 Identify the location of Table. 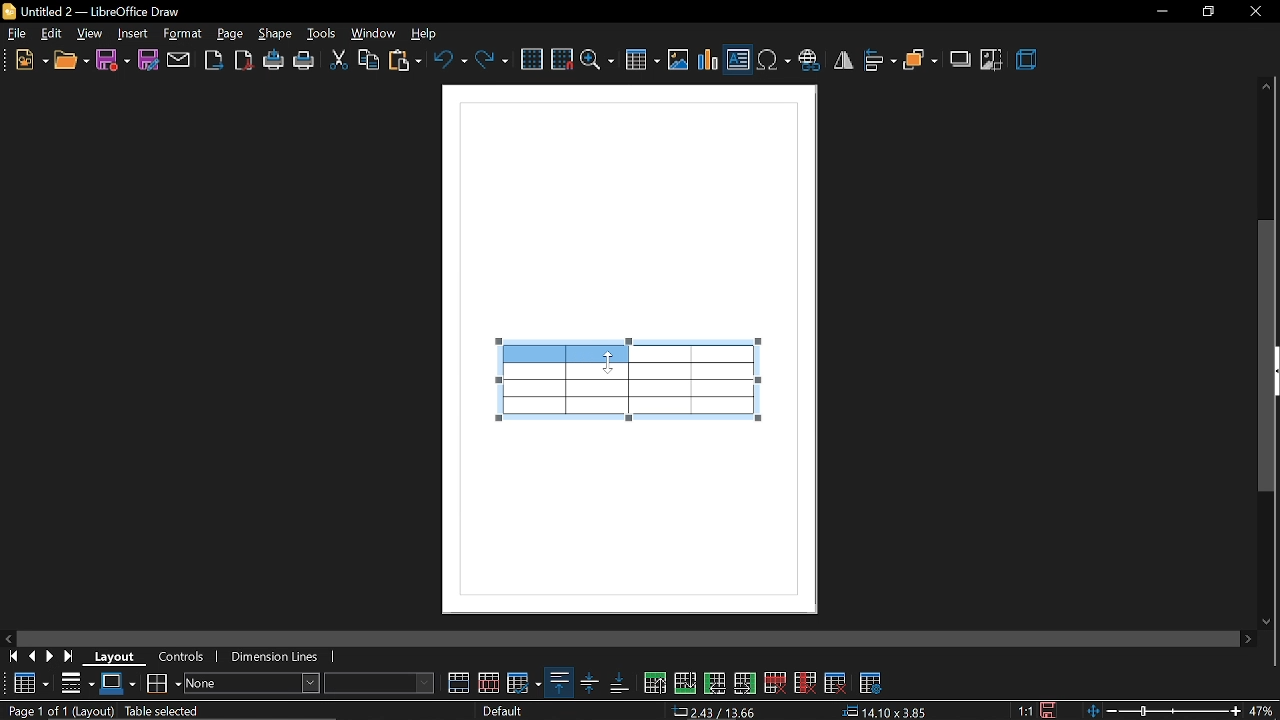
(29, 682).